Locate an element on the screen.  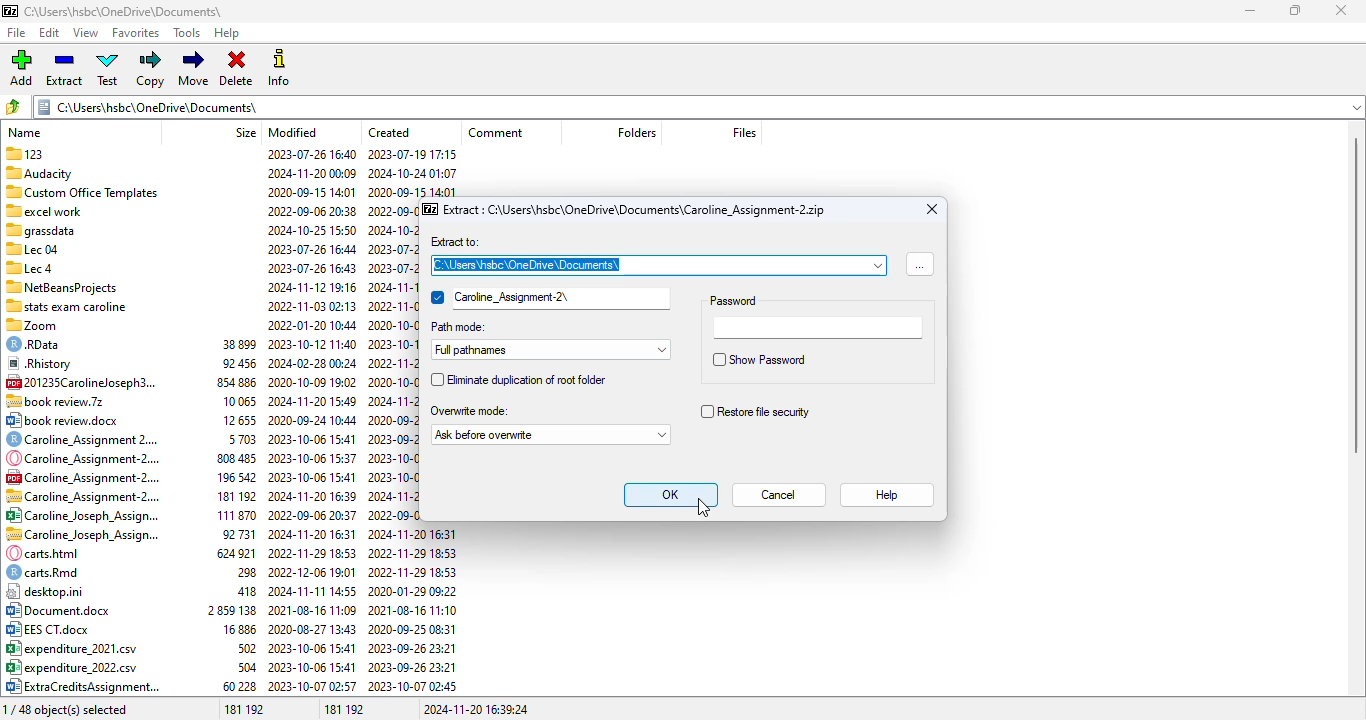
 Caroline_Joseph_Assign... 92731 2024-11-20 16:31 2024-11-20 16:31 is located at coordinates (230, 535).